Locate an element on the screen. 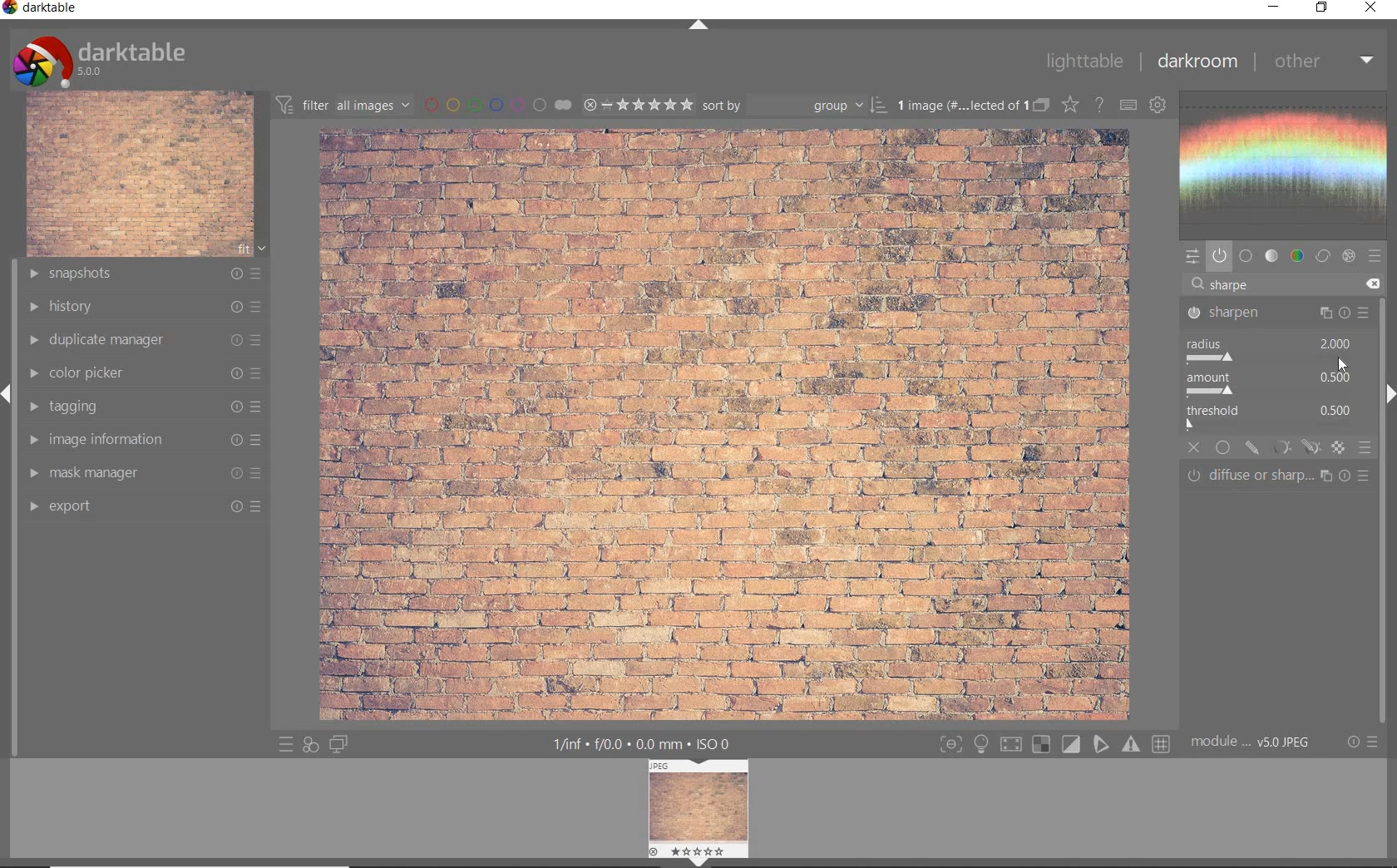 The height and width of the screenshot is (868, 1397). image  is located at coordinates (140, 175).